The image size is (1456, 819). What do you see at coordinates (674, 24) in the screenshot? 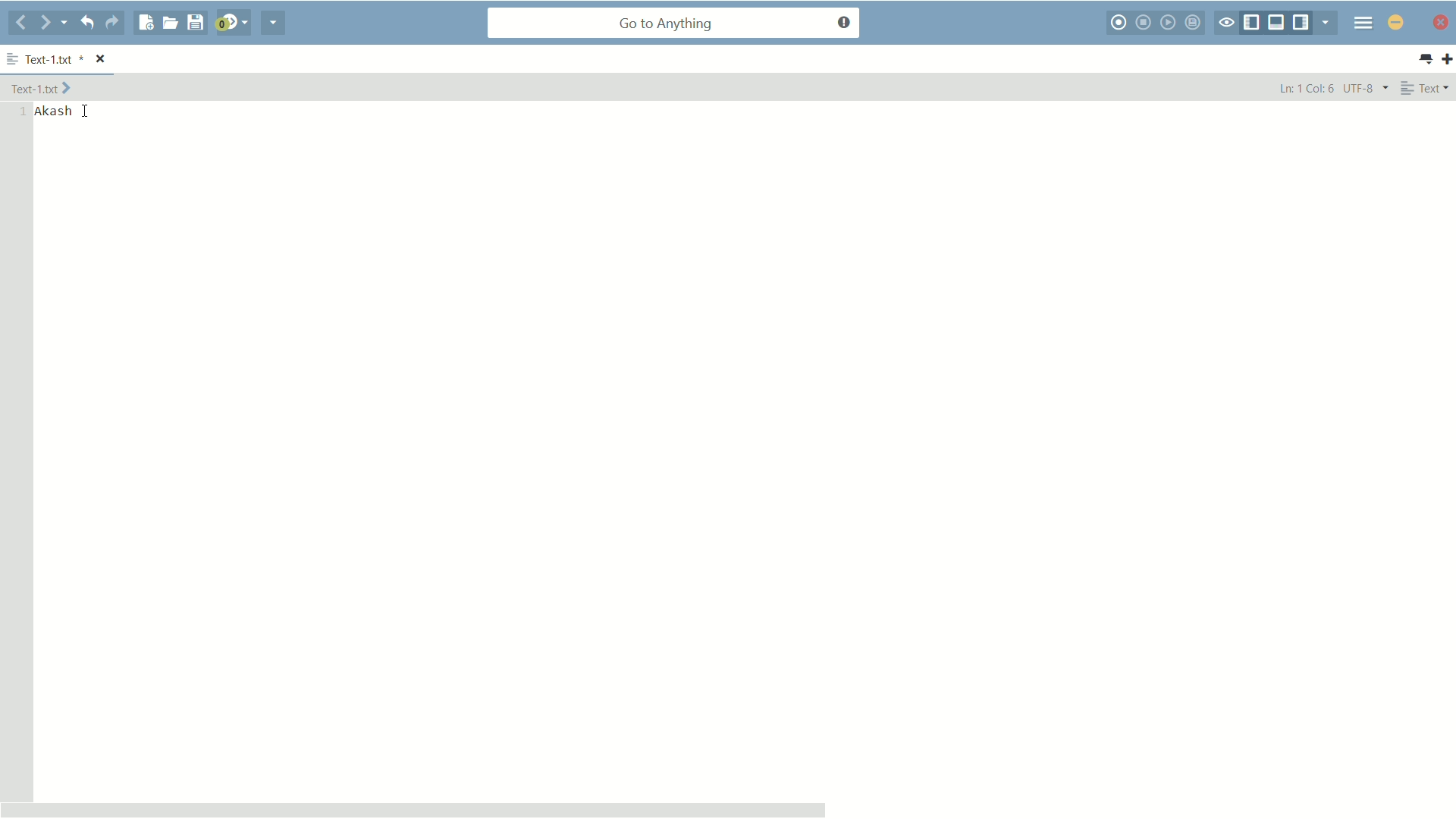
I see `go to anything search bar` at bounding box center [674, 24].